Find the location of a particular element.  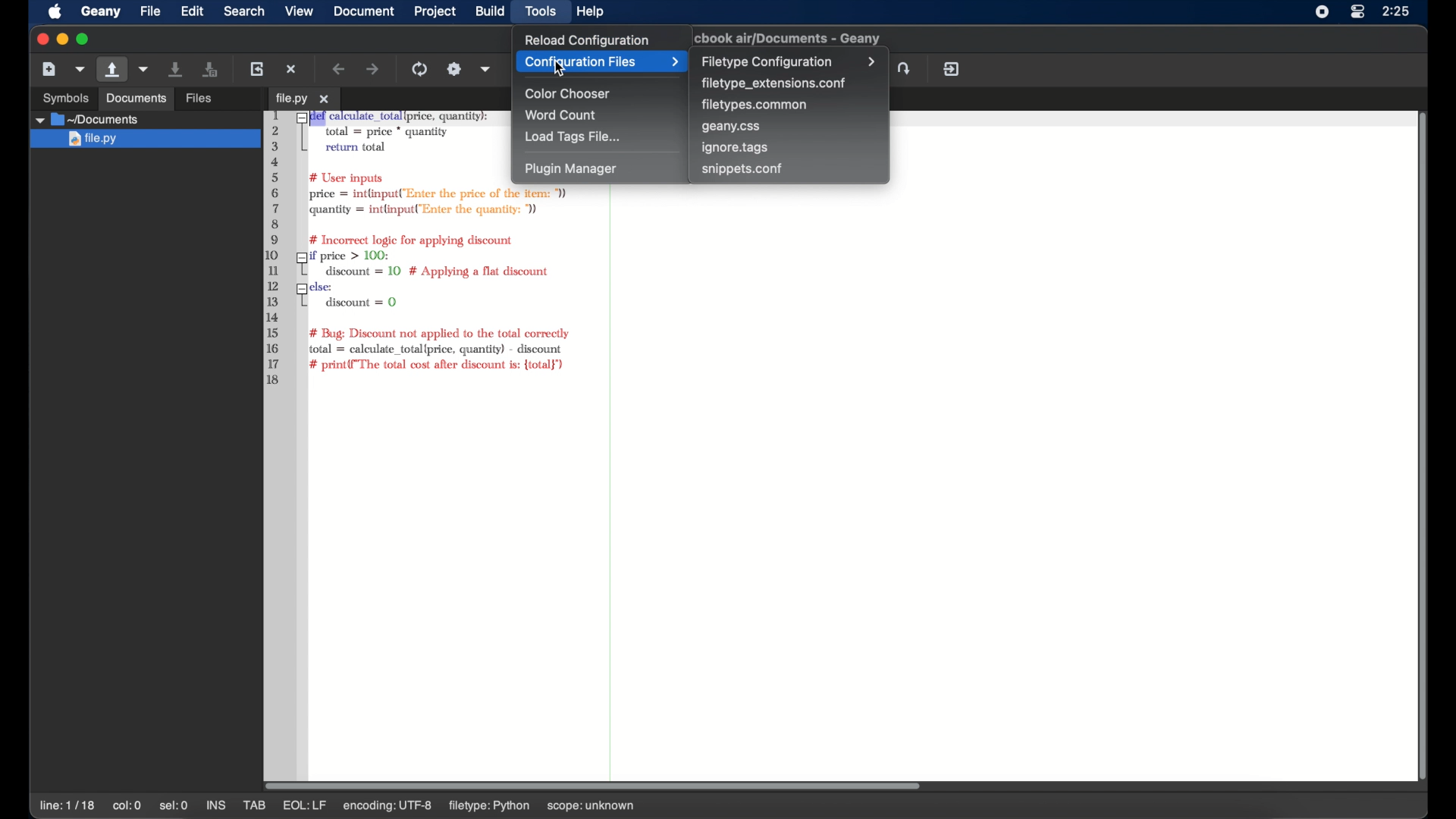

close is located at coordinates (40, 39).